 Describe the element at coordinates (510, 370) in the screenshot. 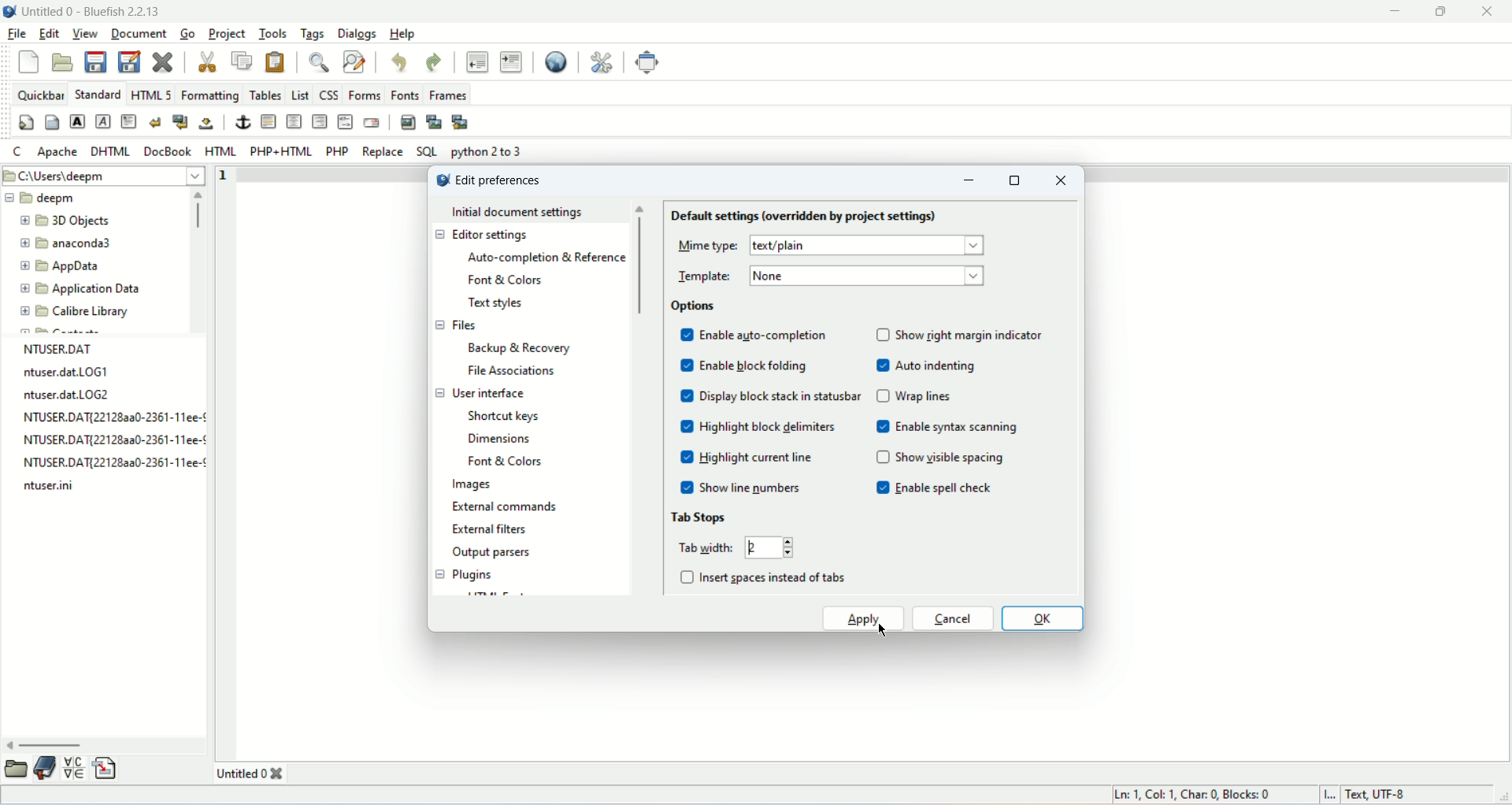

I see `file association` at that location.